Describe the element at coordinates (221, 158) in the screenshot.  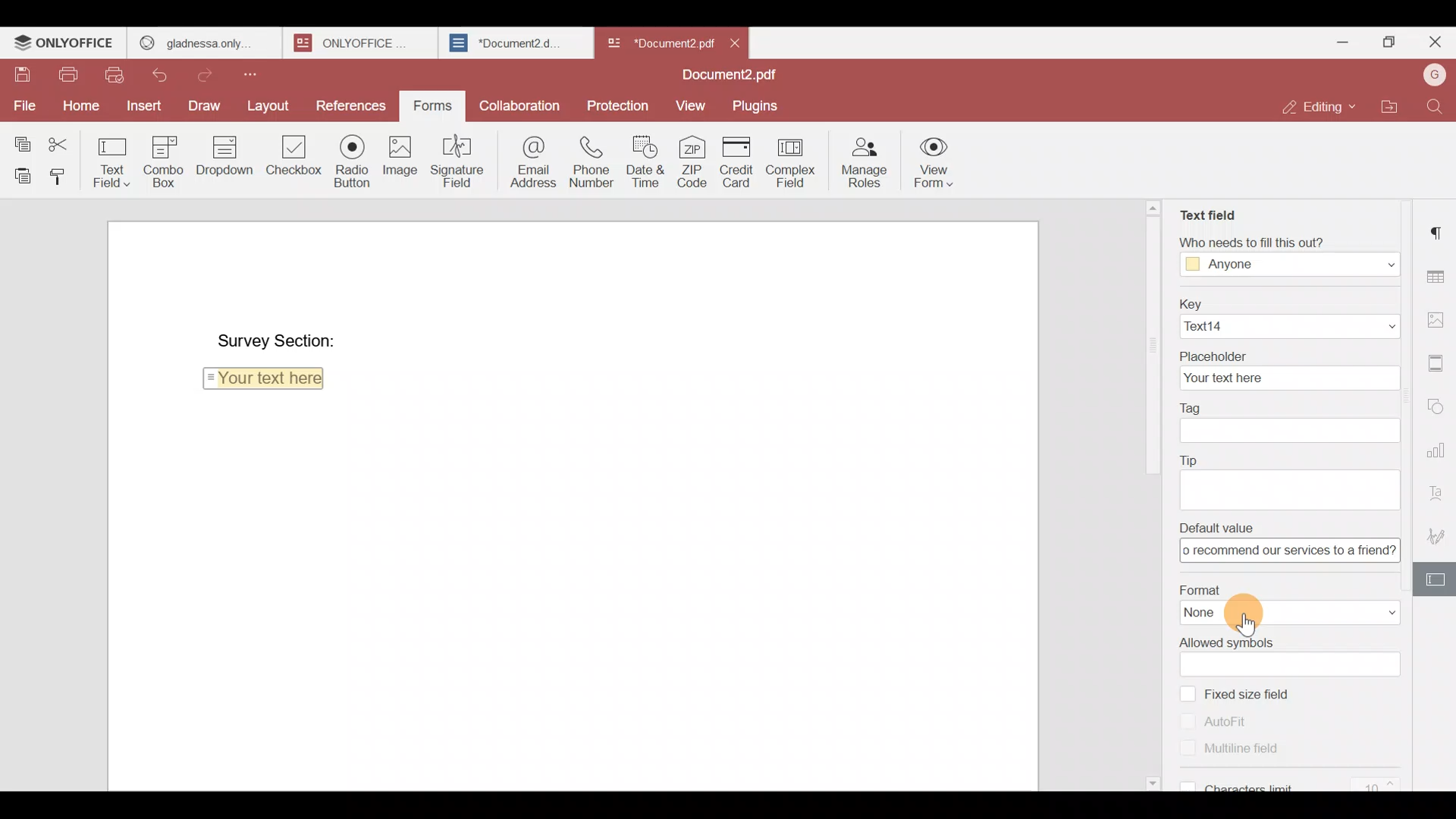
I see `Dropdown` at that location.